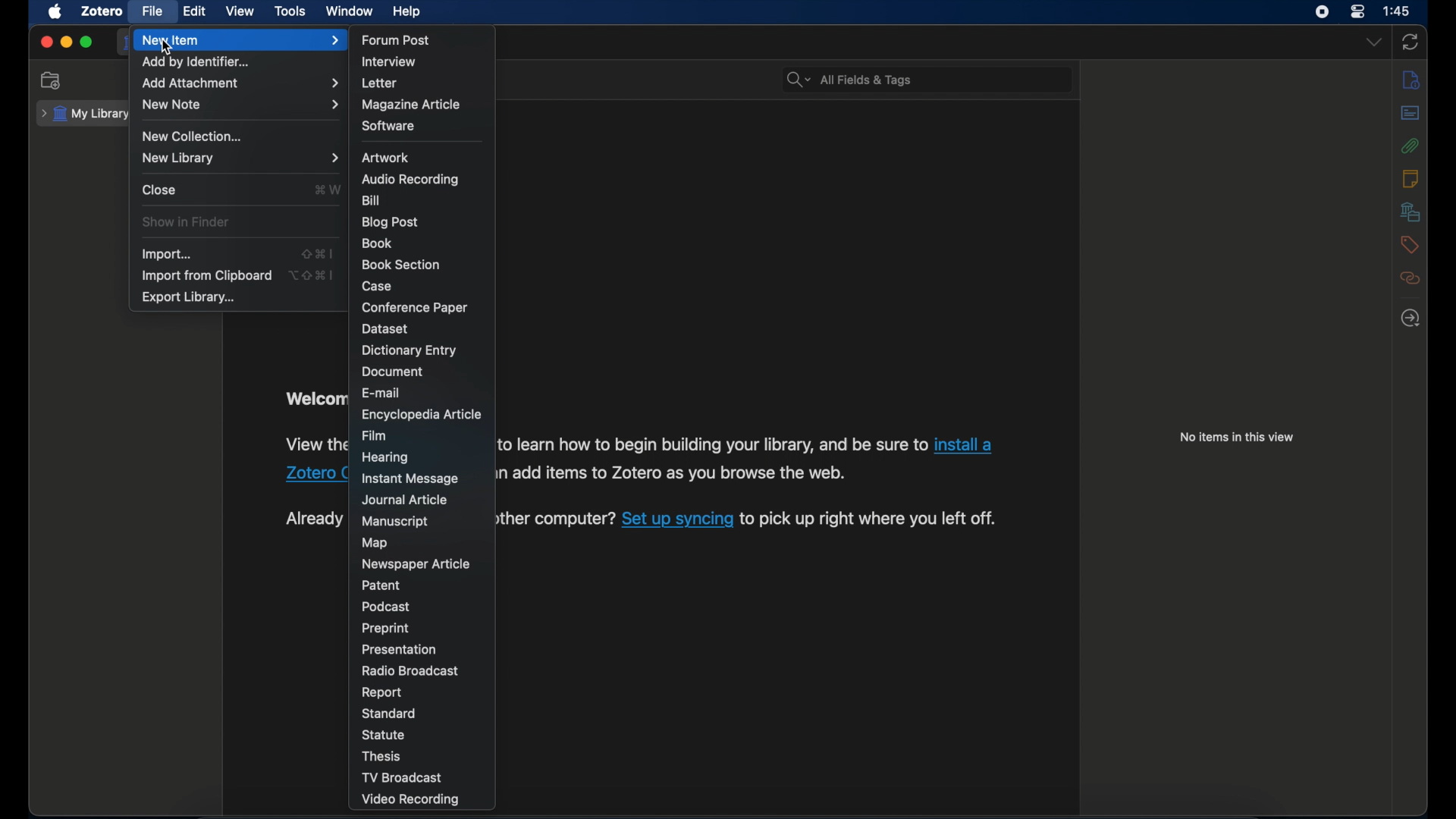 Image resolution: width=1456 pixels, height=819 pixels. Describe the element at coordinates (53, 80) in the screenshot. I see `new collection` at that location.